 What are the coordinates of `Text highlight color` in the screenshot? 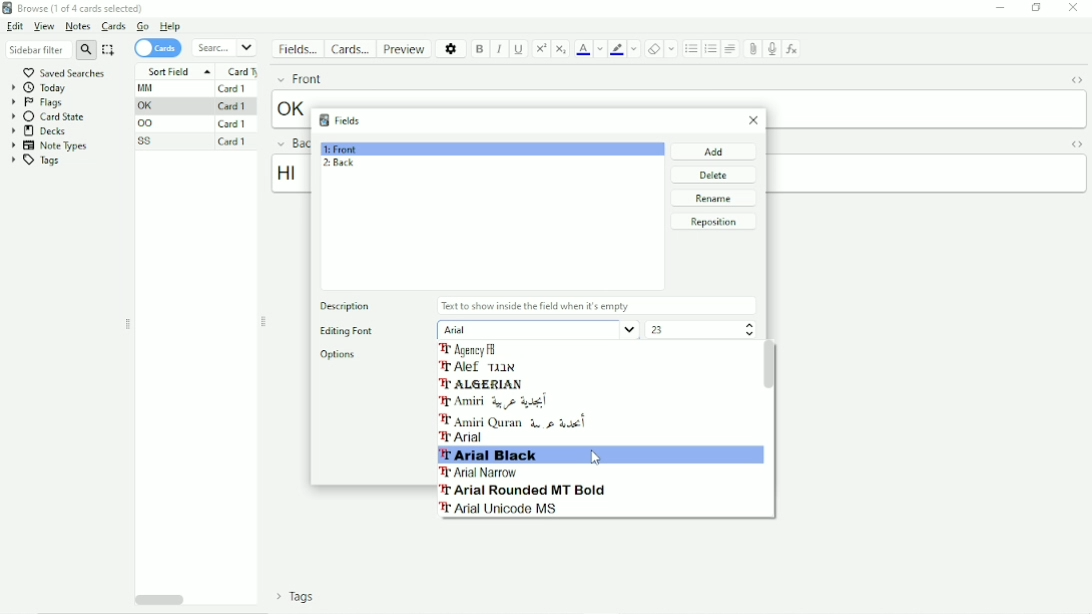 It's located at (617, 50).